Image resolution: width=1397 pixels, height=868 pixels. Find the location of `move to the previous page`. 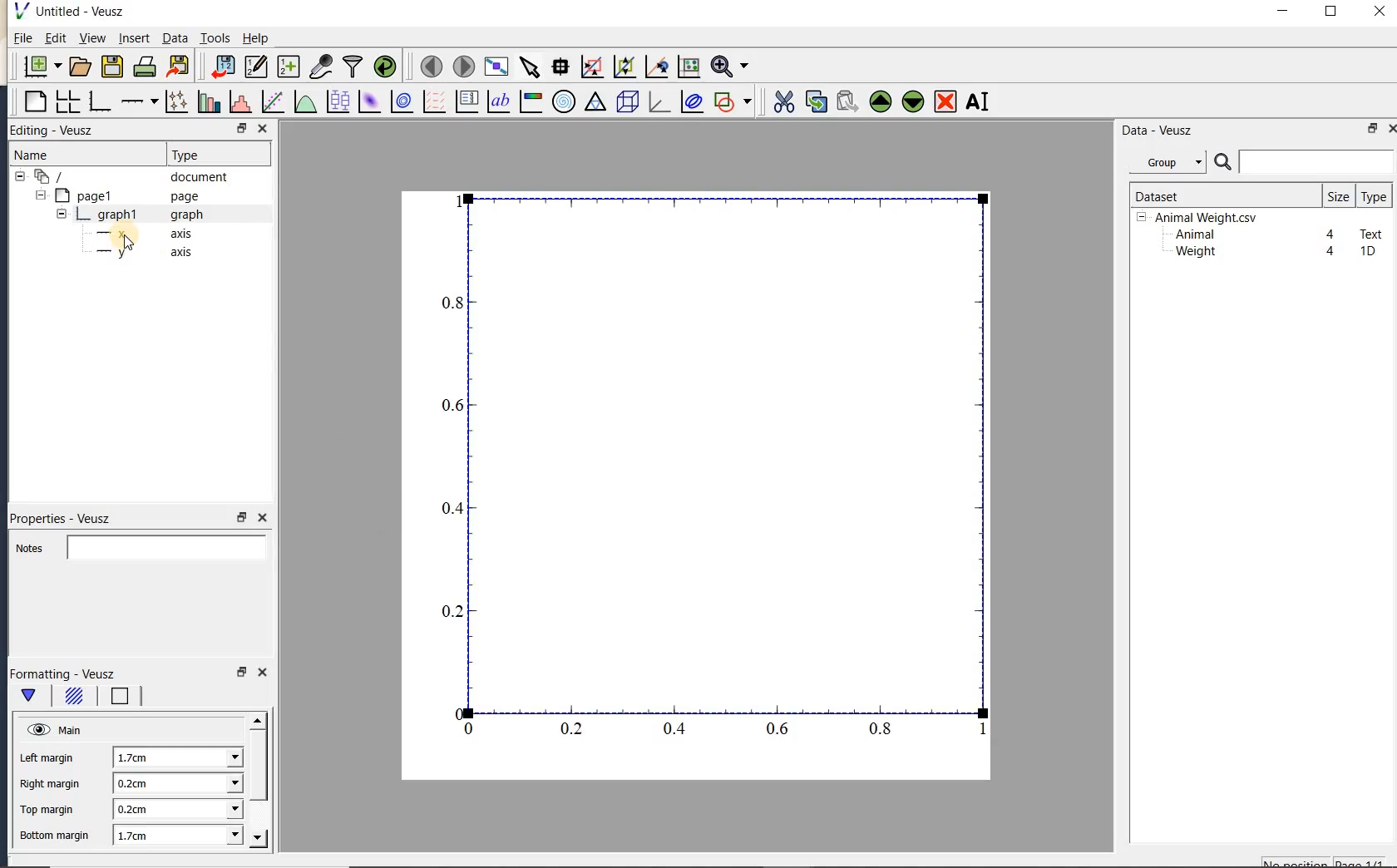

move to the previous page is located at coordinates (428, 65).